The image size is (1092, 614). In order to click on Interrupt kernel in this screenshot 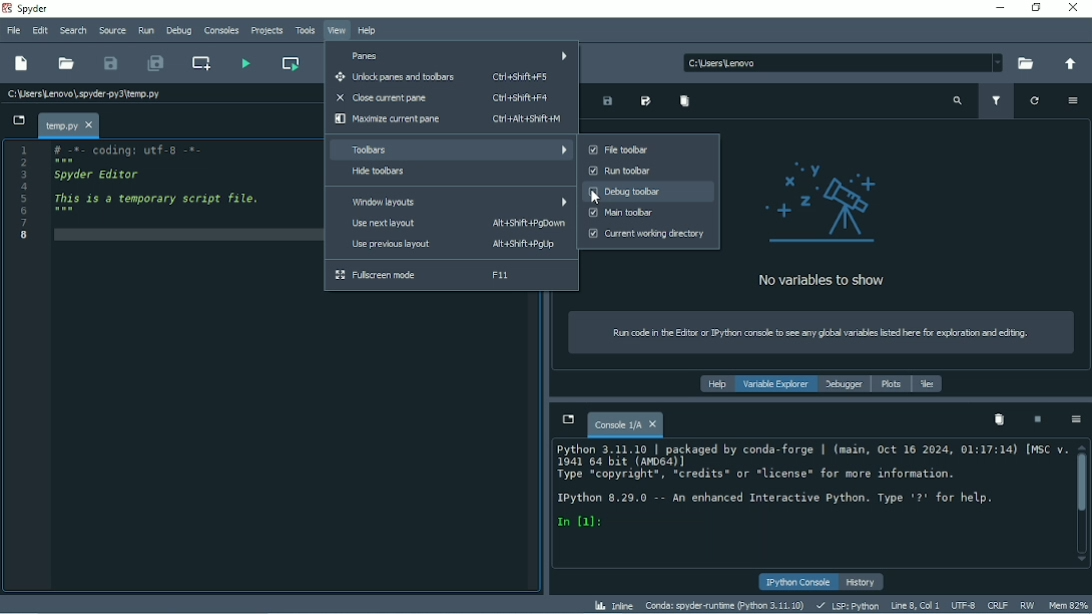, I will do `click(1037, 420)`.